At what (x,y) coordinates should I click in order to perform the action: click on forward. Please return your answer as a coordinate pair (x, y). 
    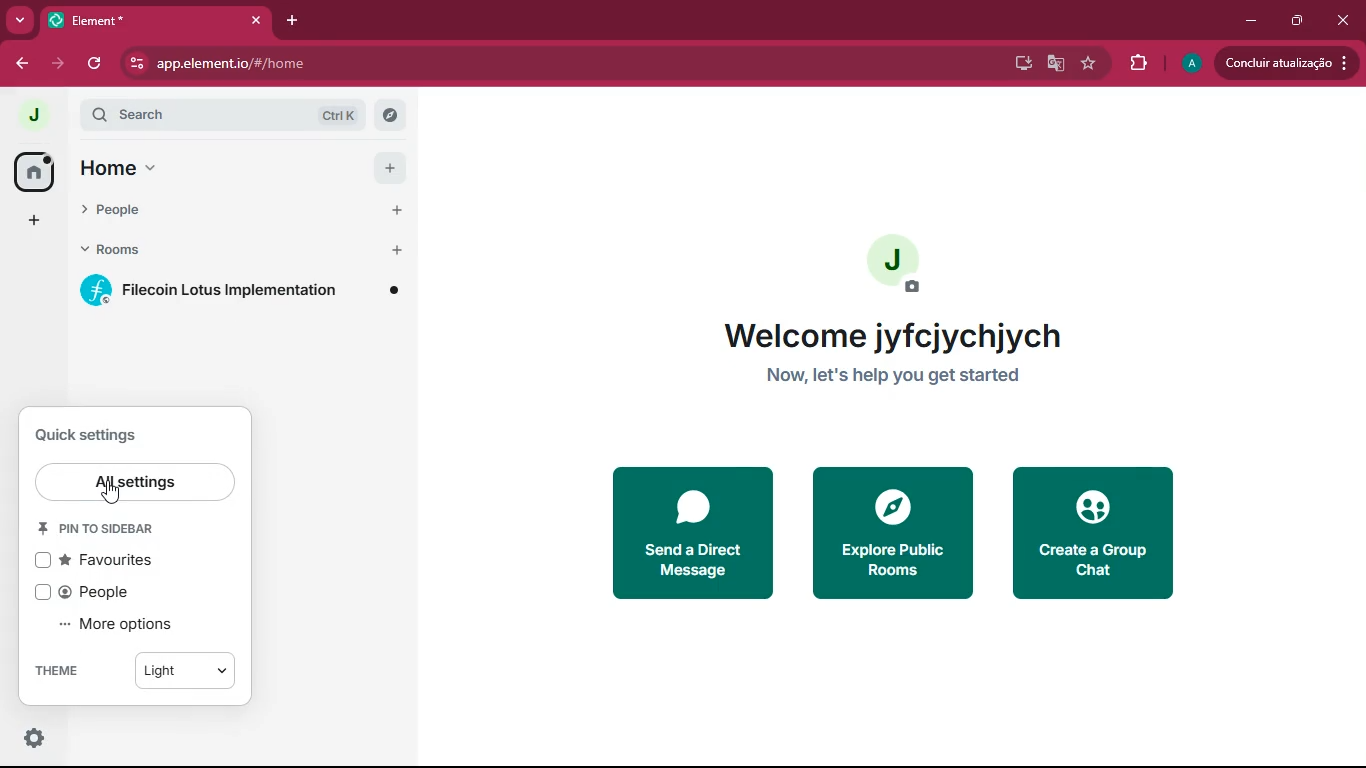
    Looking at the image, I should click on (61, 64).